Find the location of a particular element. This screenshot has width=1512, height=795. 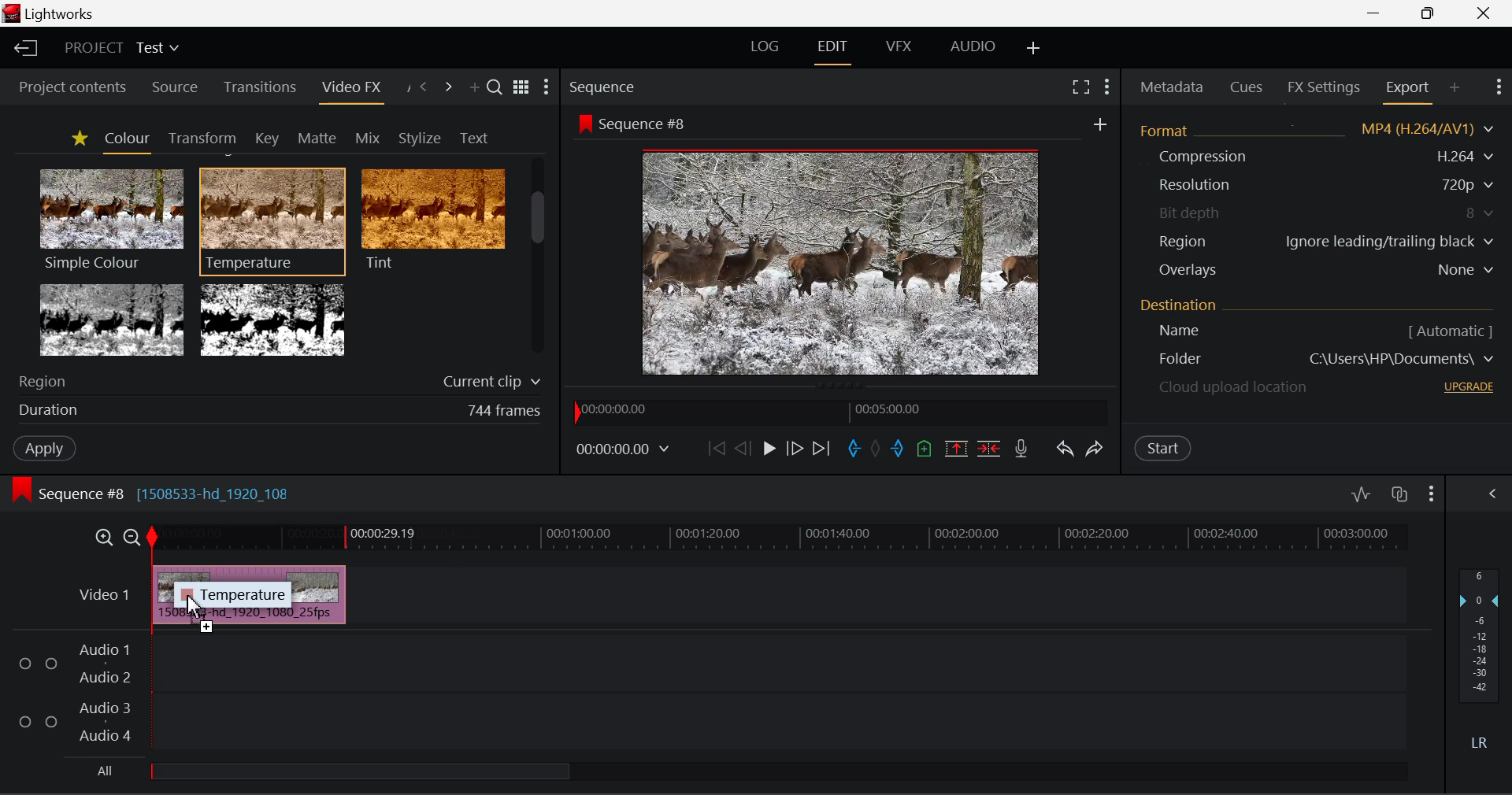

Show Settings is located at coordinates (547, 87).